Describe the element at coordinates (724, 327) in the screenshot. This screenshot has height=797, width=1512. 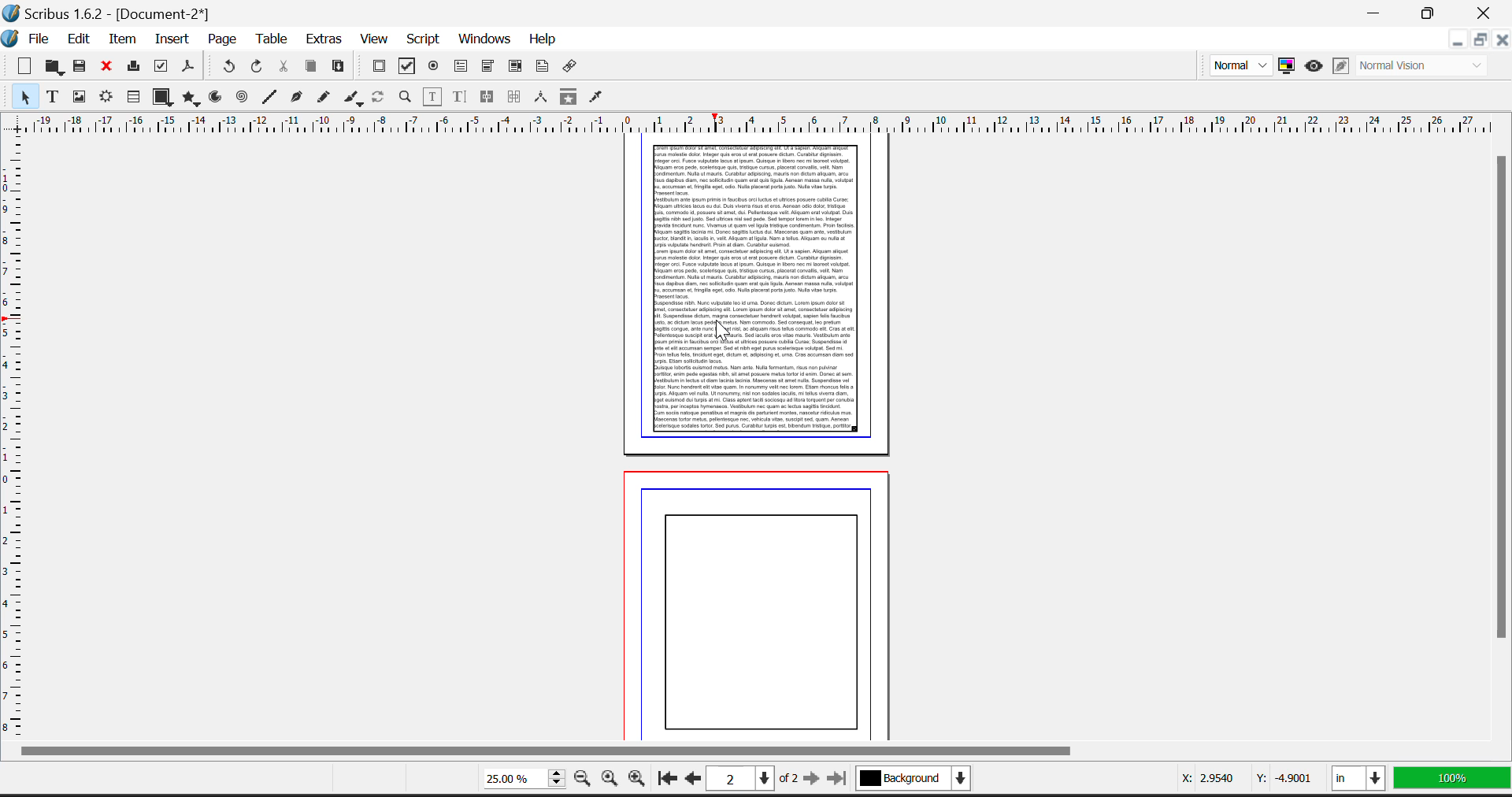
I see `Cursor Position` at that location.